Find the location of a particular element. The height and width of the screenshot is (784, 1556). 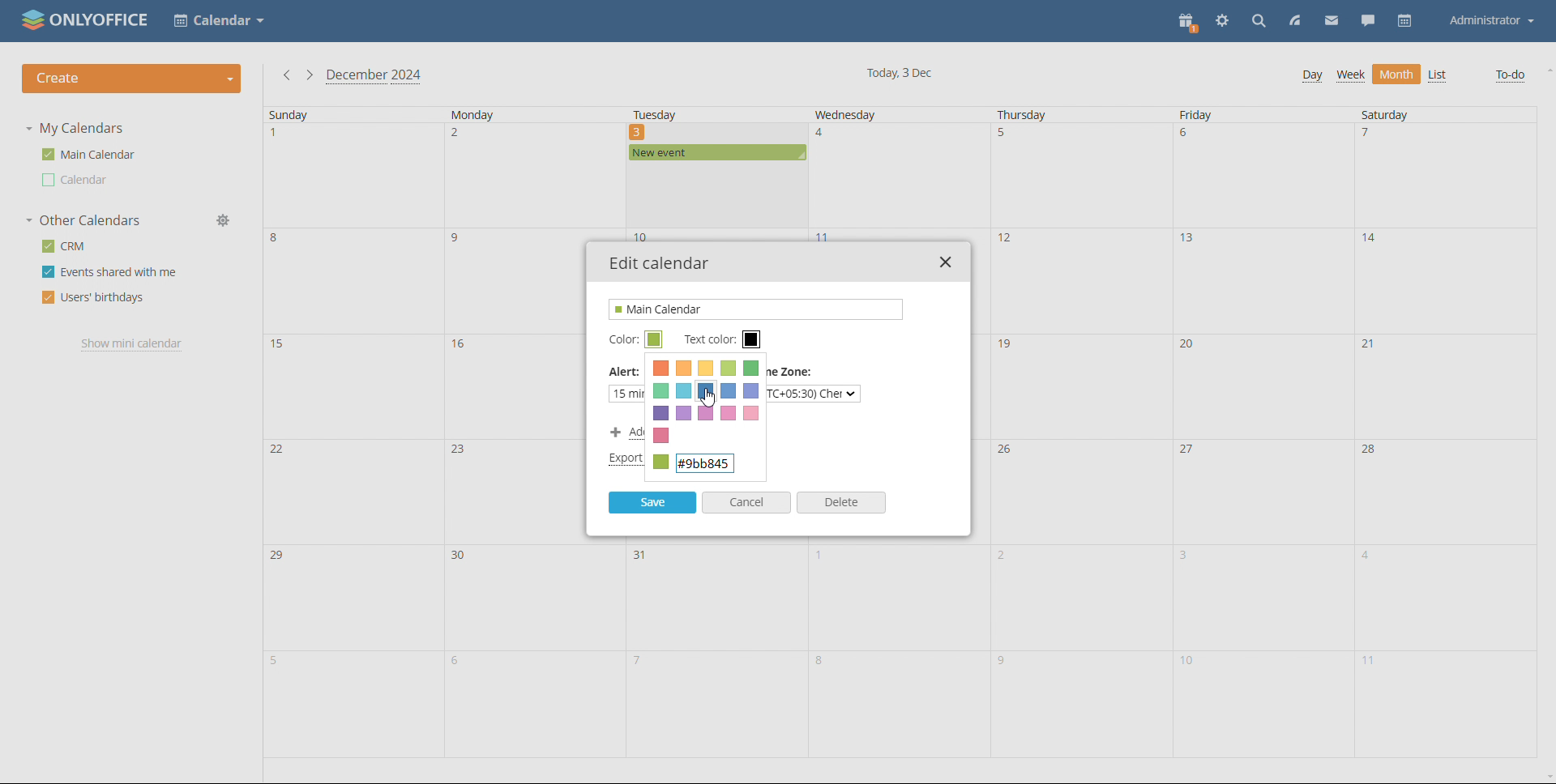

edit calendar is located at coordinates (660, 263).